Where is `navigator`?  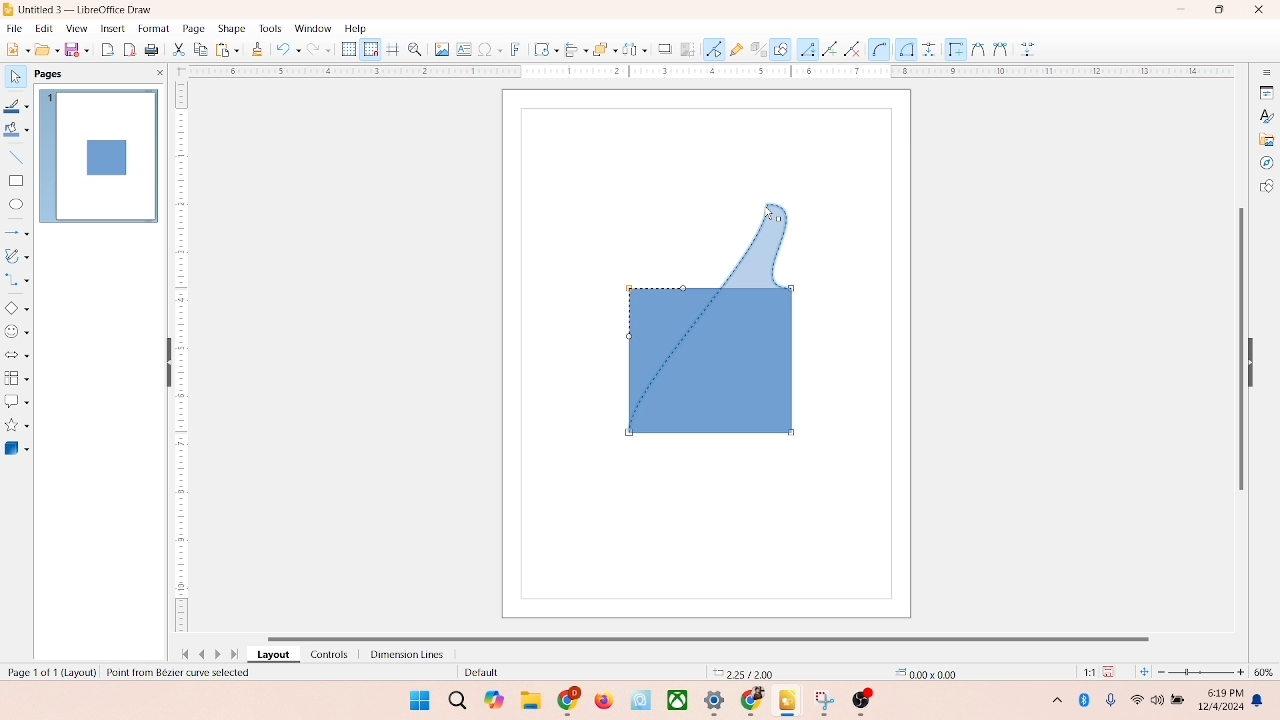 navigator is located at coordinates (1266, 163).